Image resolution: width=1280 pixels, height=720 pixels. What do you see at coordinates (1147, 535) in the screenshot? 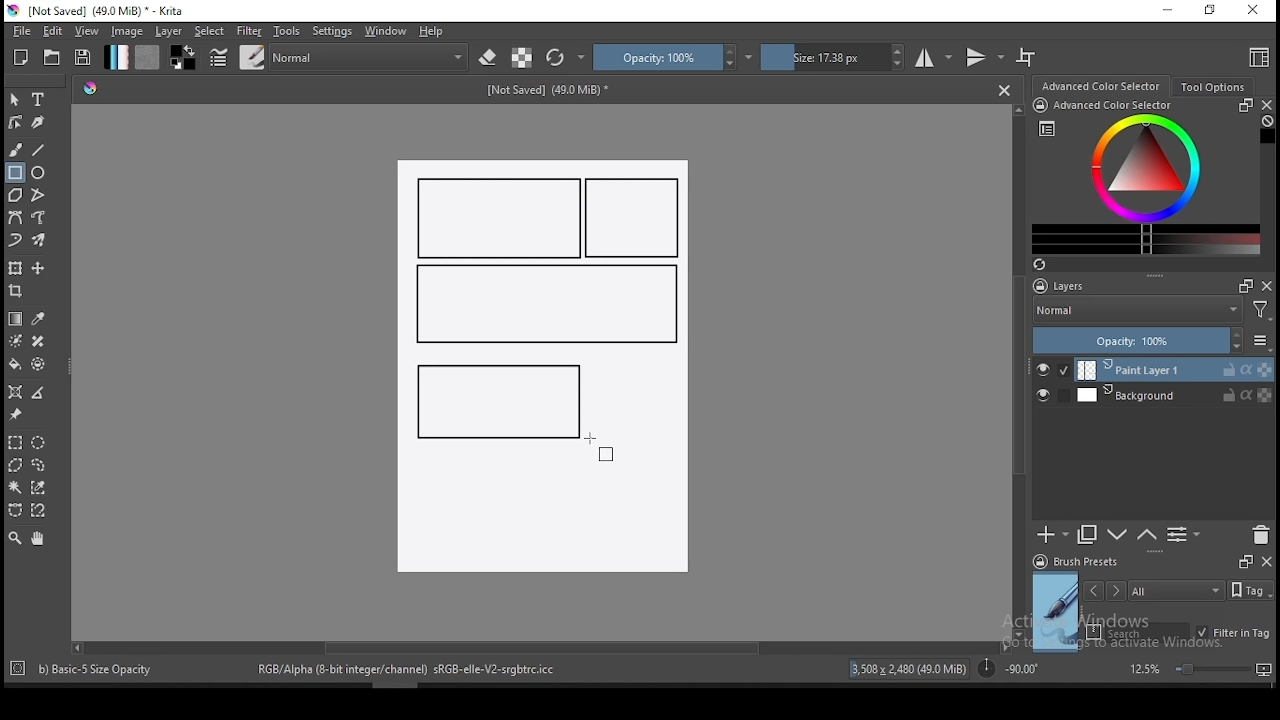
I see `move layer one step down` at bounding box center [1147, 535].